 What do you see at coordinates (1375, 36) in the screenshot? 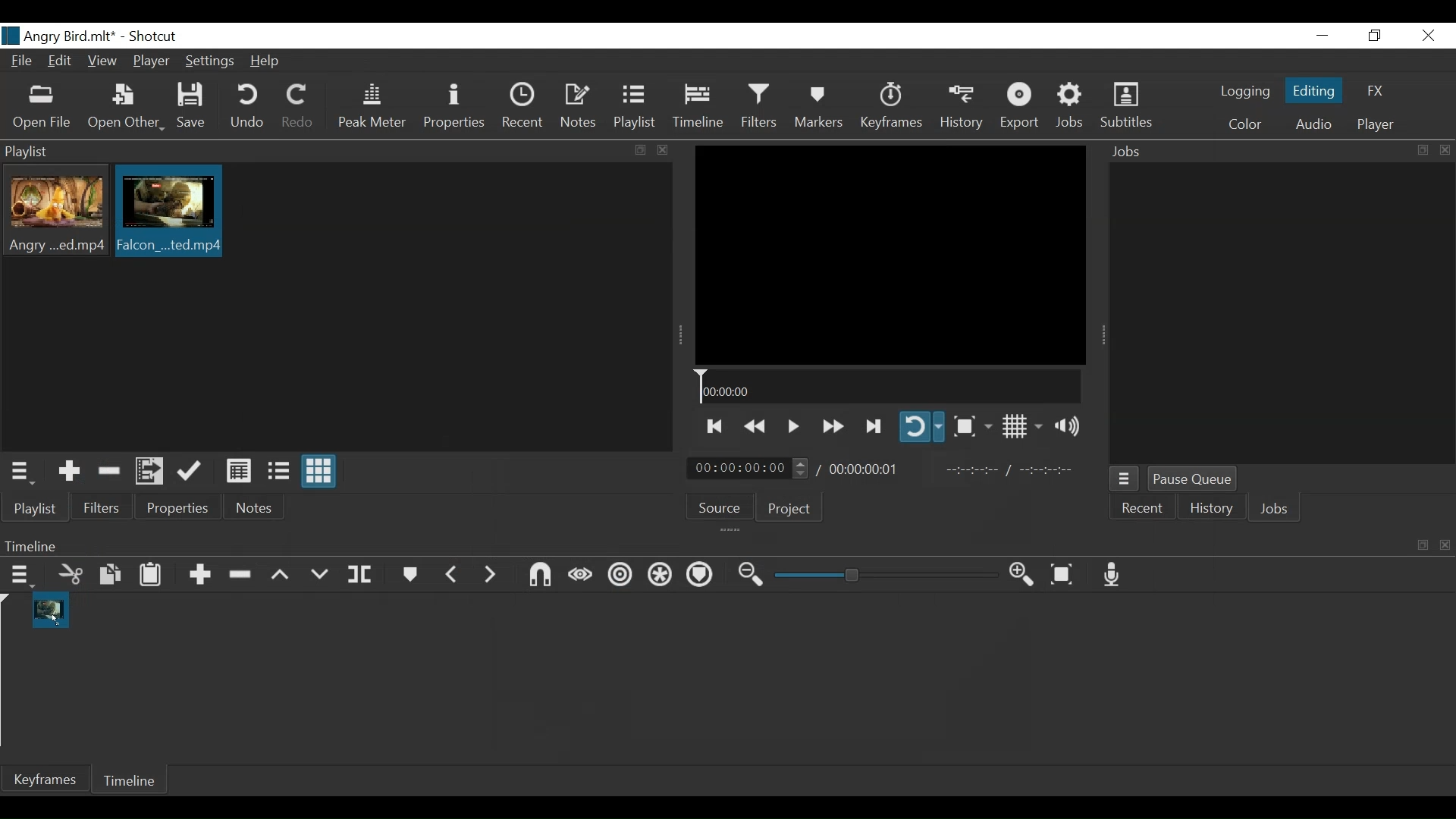
I see `Restore` at bounding box center [1375, 36].